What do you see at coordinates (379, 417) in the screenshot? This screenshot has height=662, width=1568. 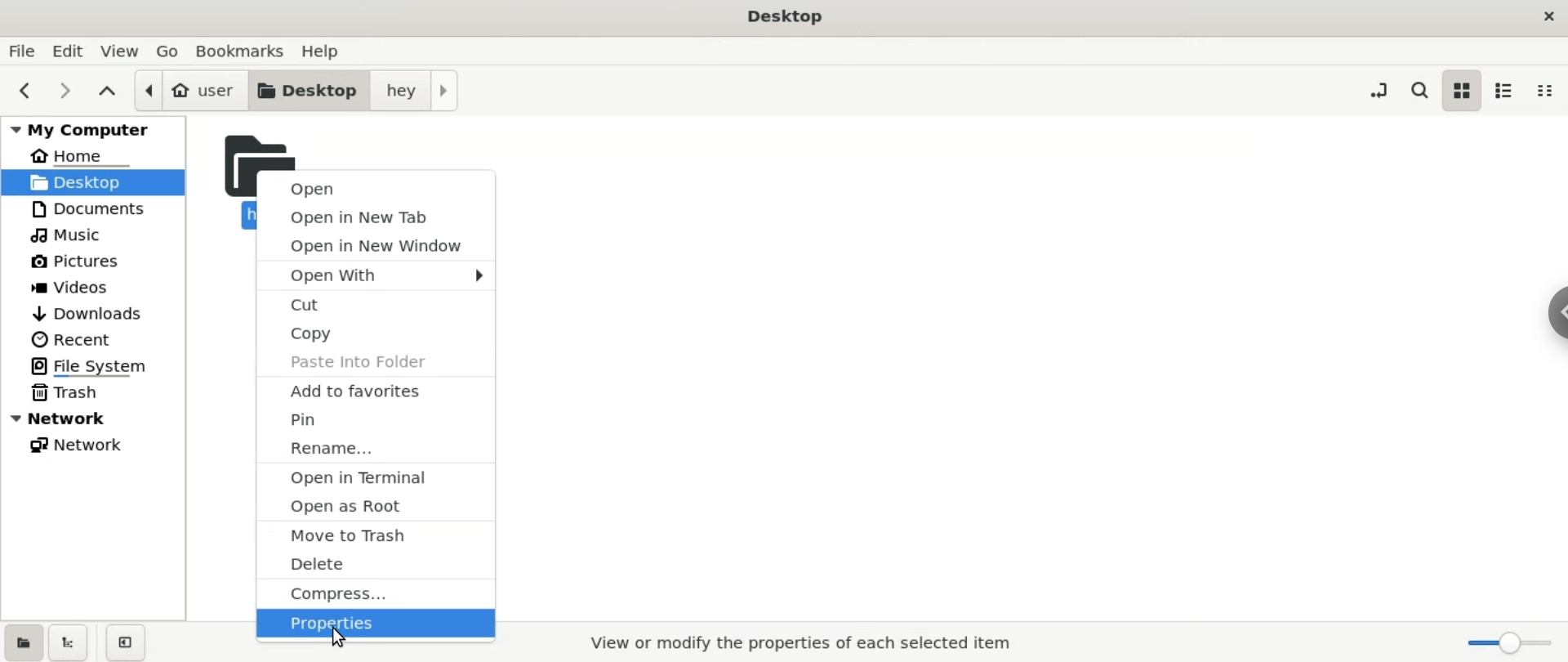 I see `pin` at bounding box center [379, 417].